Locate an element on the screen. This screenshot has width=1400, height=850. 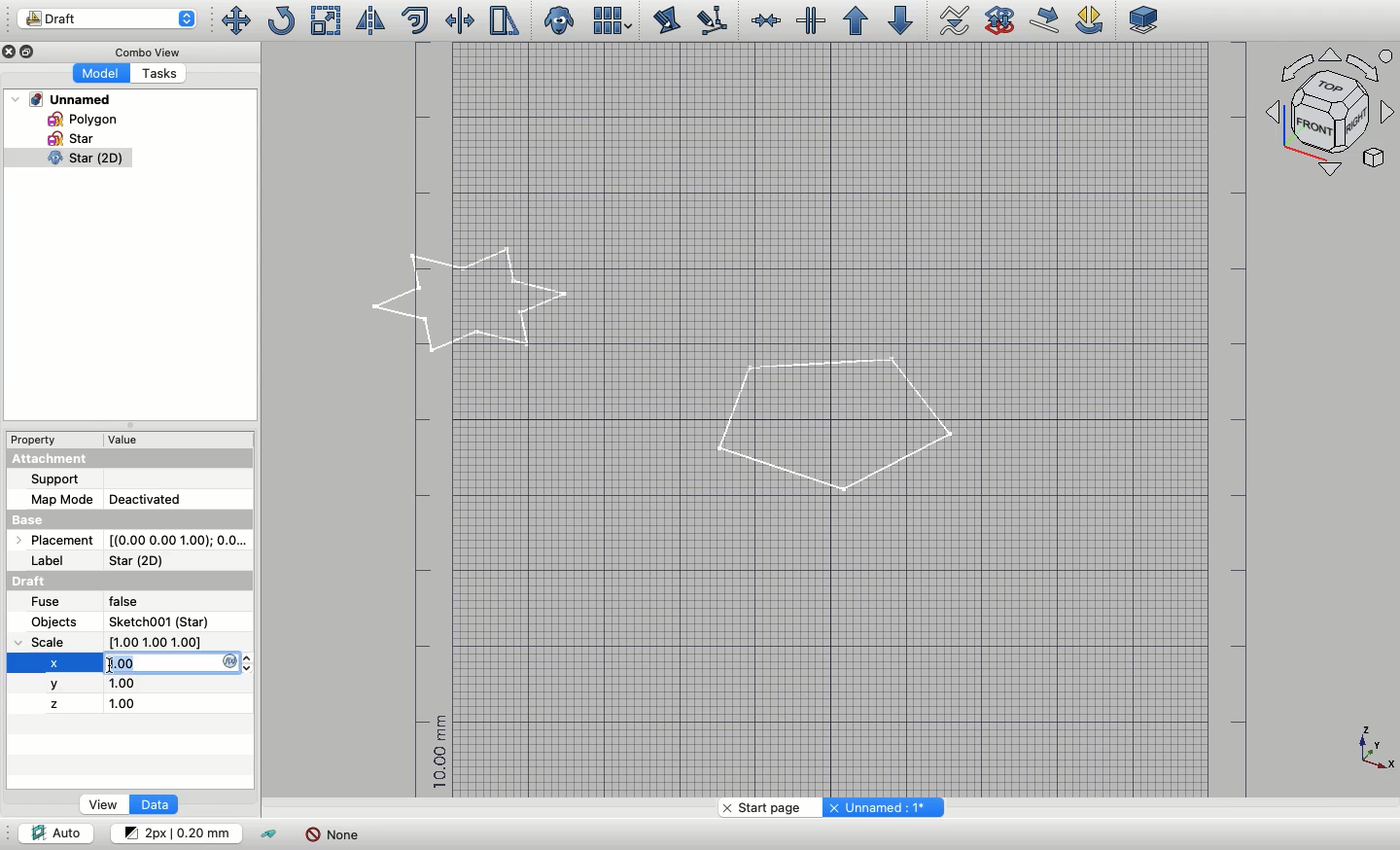
Stretch is located at coordinates (503, 20).